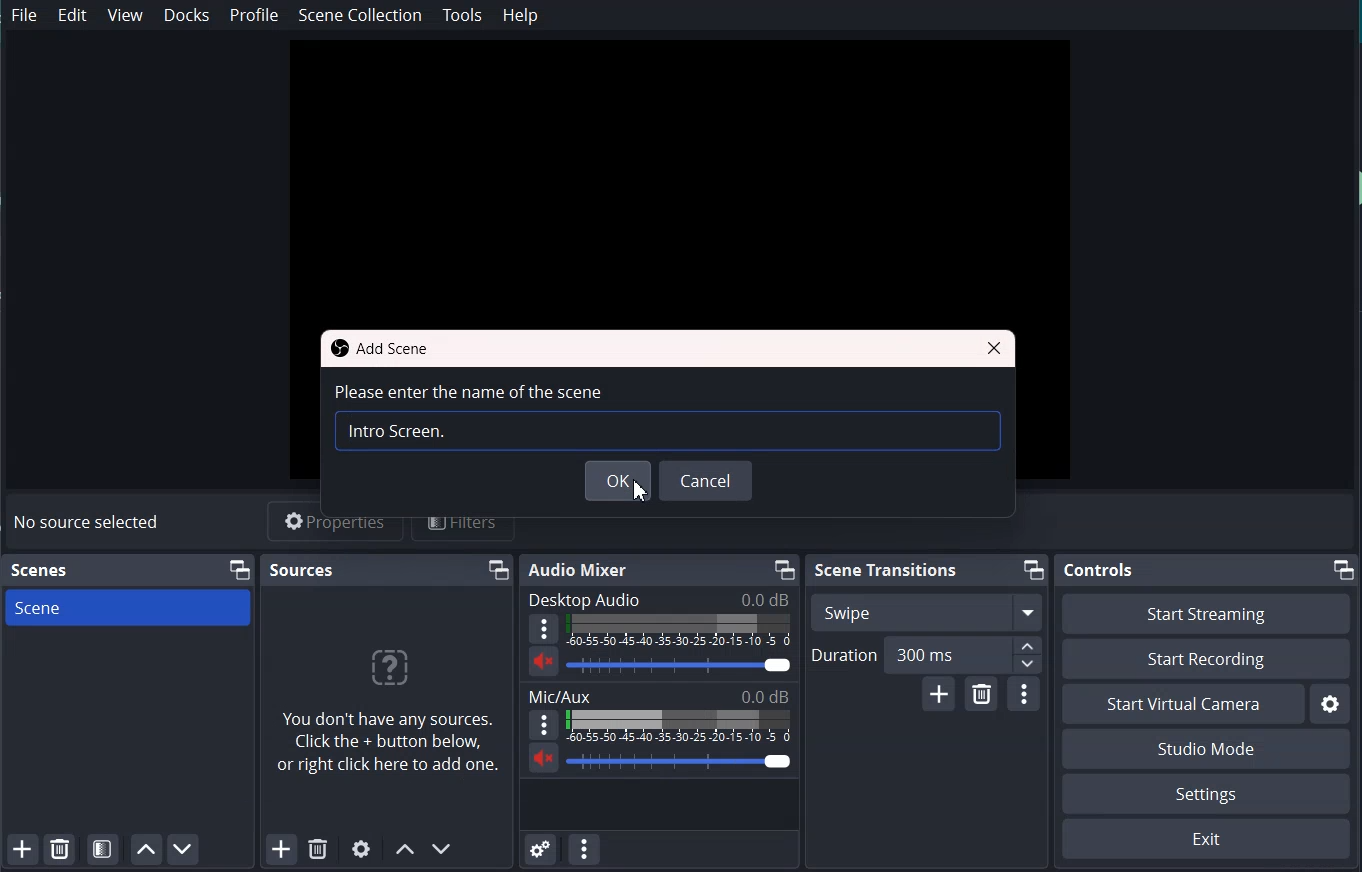  What do you see at coordinates (709, 481) in the screenshot?
I see `Cancel` at bounding box center [709, 481].